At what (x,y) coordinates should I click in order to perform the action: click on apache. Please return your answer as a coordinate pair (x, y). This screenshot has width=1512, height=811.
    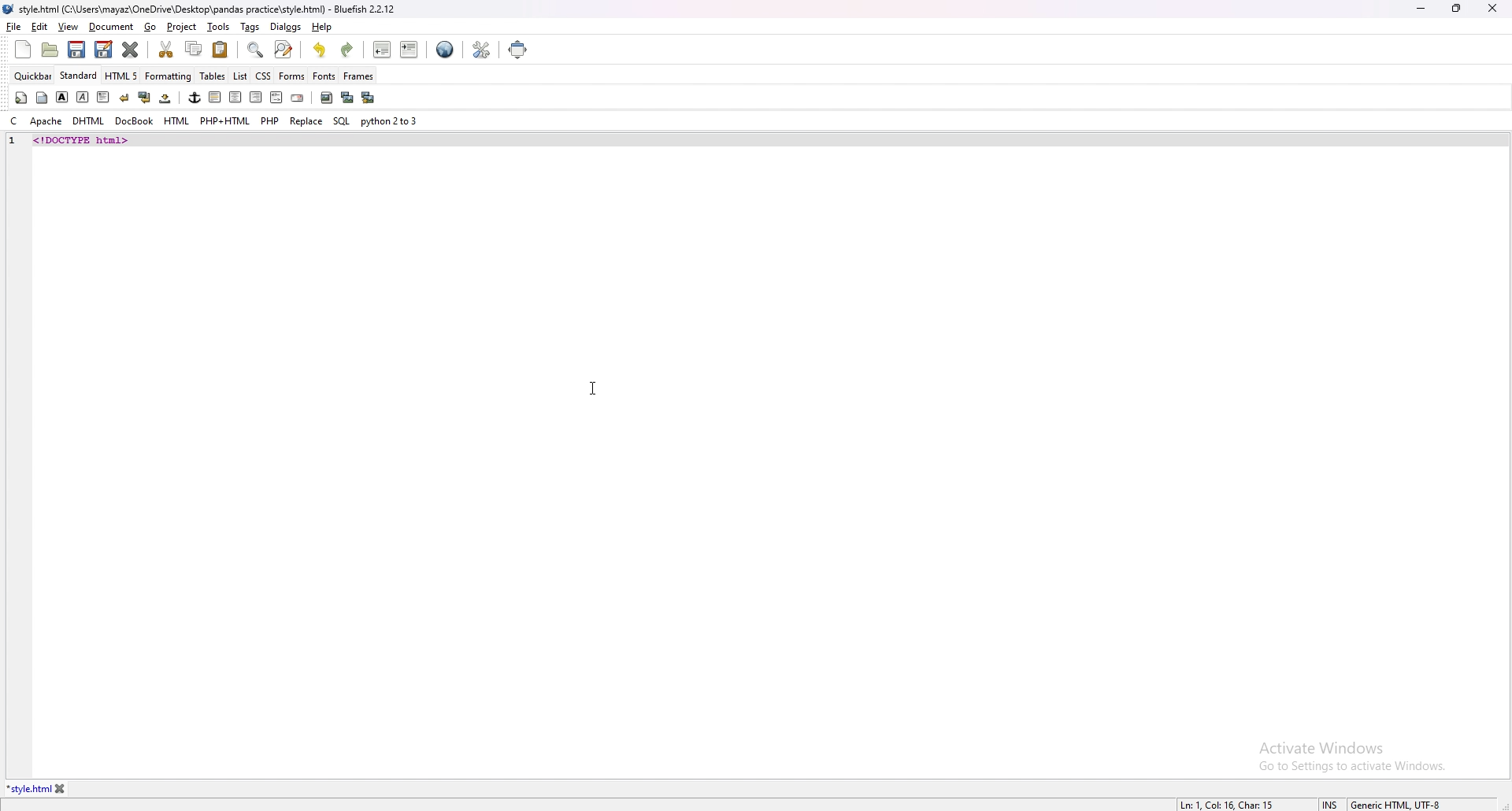
    Looking at the image, I should click on (46, 121).